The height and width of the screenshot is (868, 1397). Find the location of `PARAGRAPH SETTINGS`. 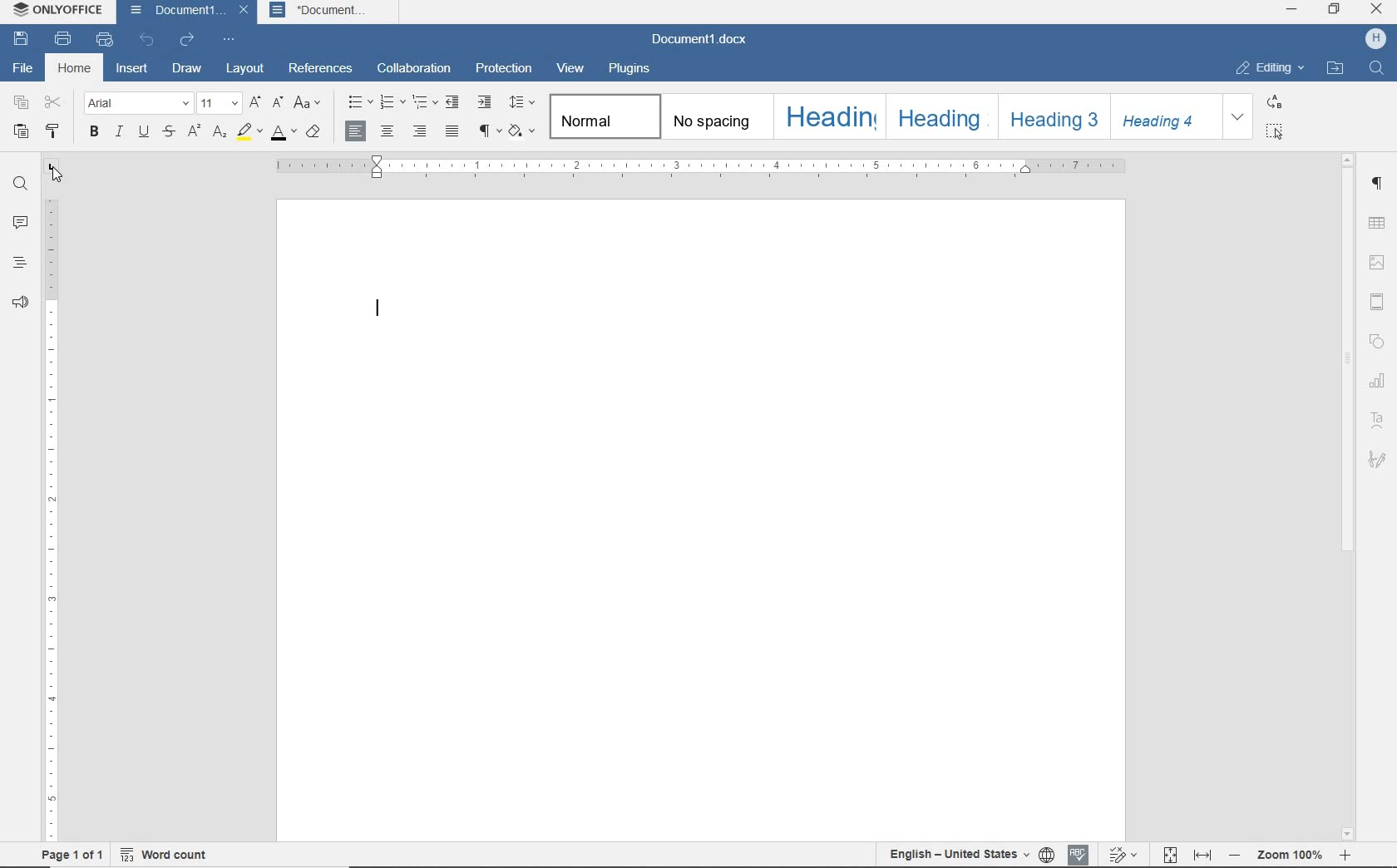

PARAGRAPH SETTINGS is located at coordinates (1380, 184).